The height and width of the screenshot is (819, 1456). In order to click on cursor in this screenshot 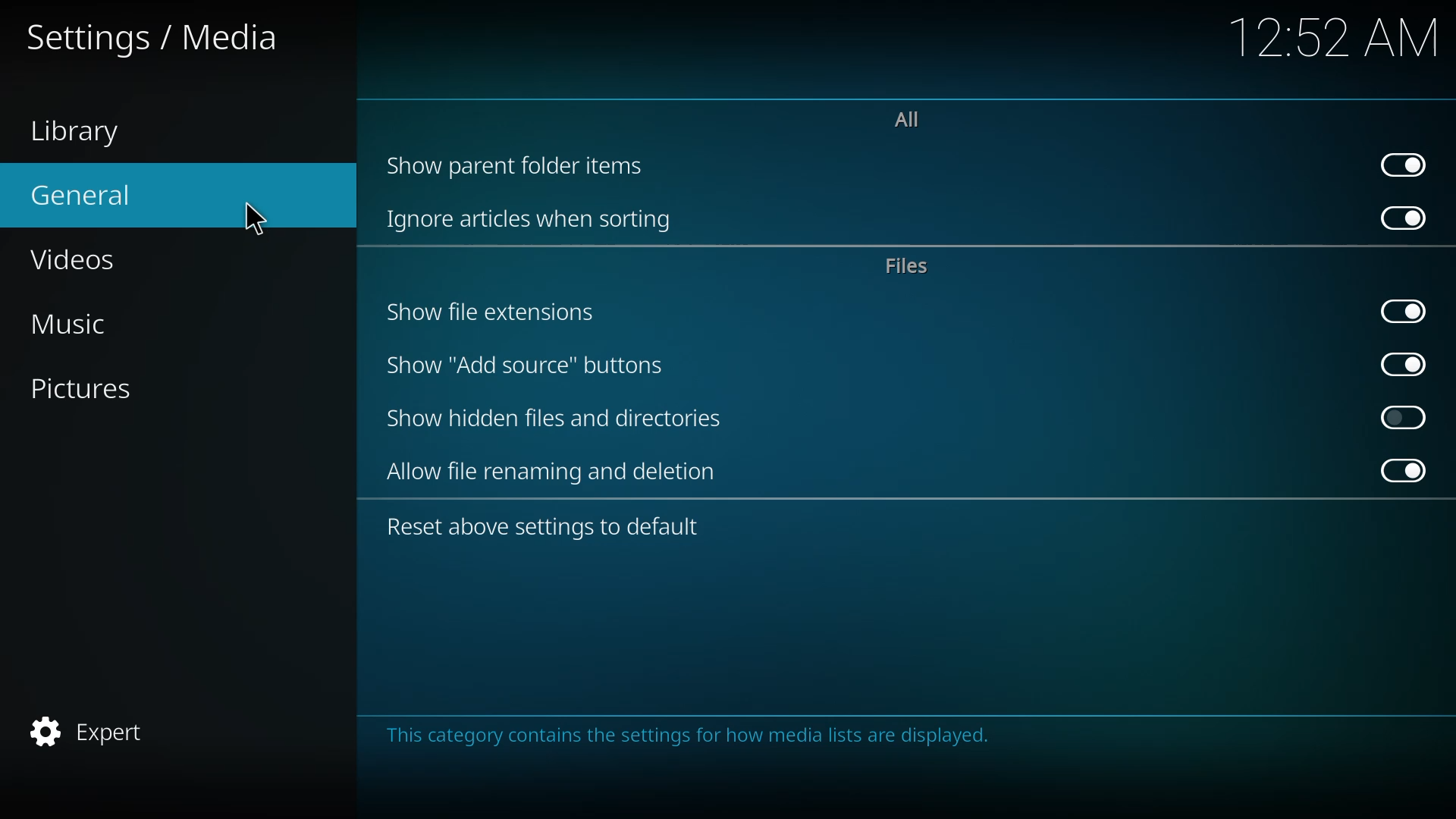, I will do `click(247, 219)`.